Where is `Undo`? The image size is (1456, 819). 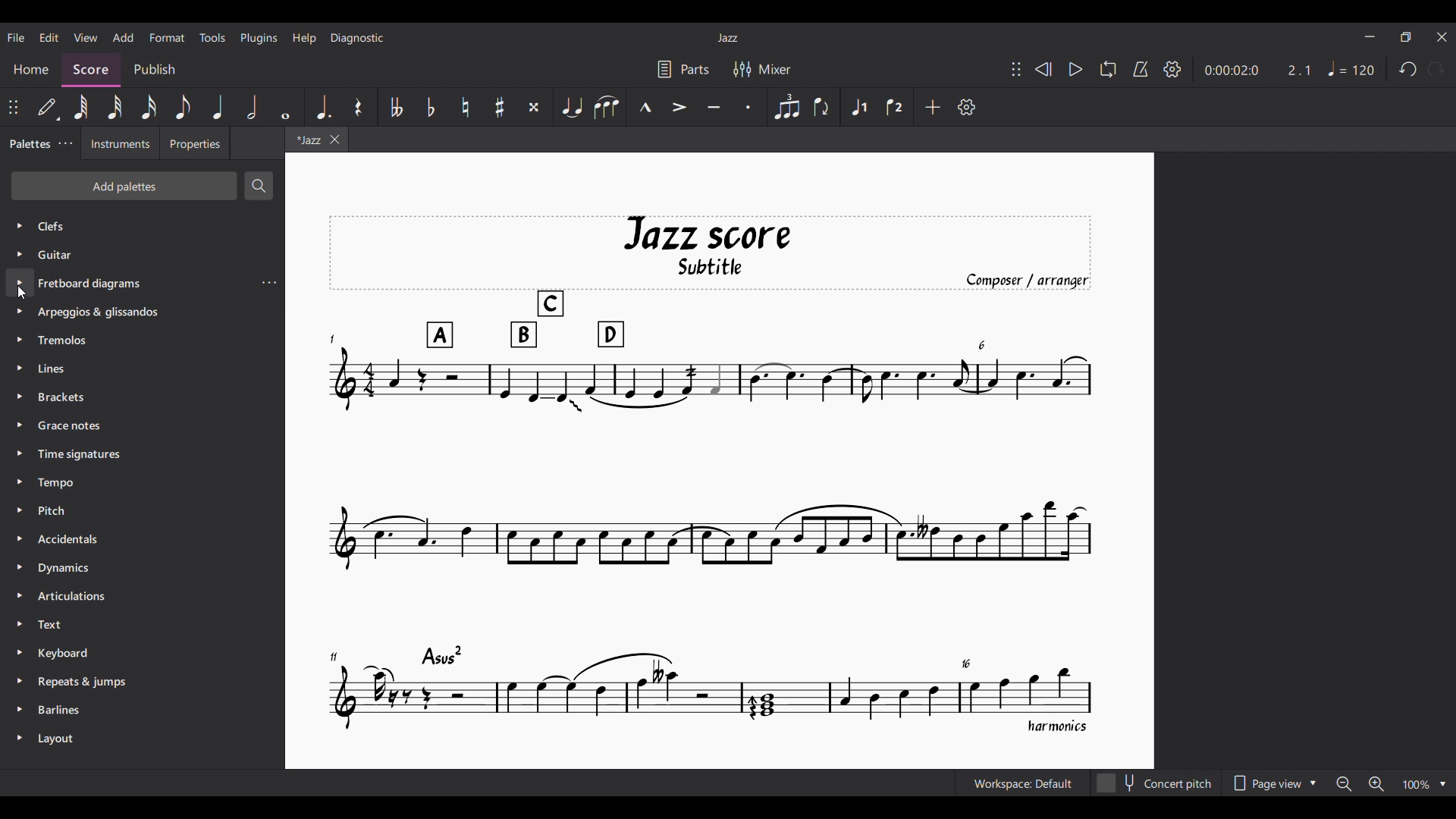
Undo is located at coordinates (1407, 70).